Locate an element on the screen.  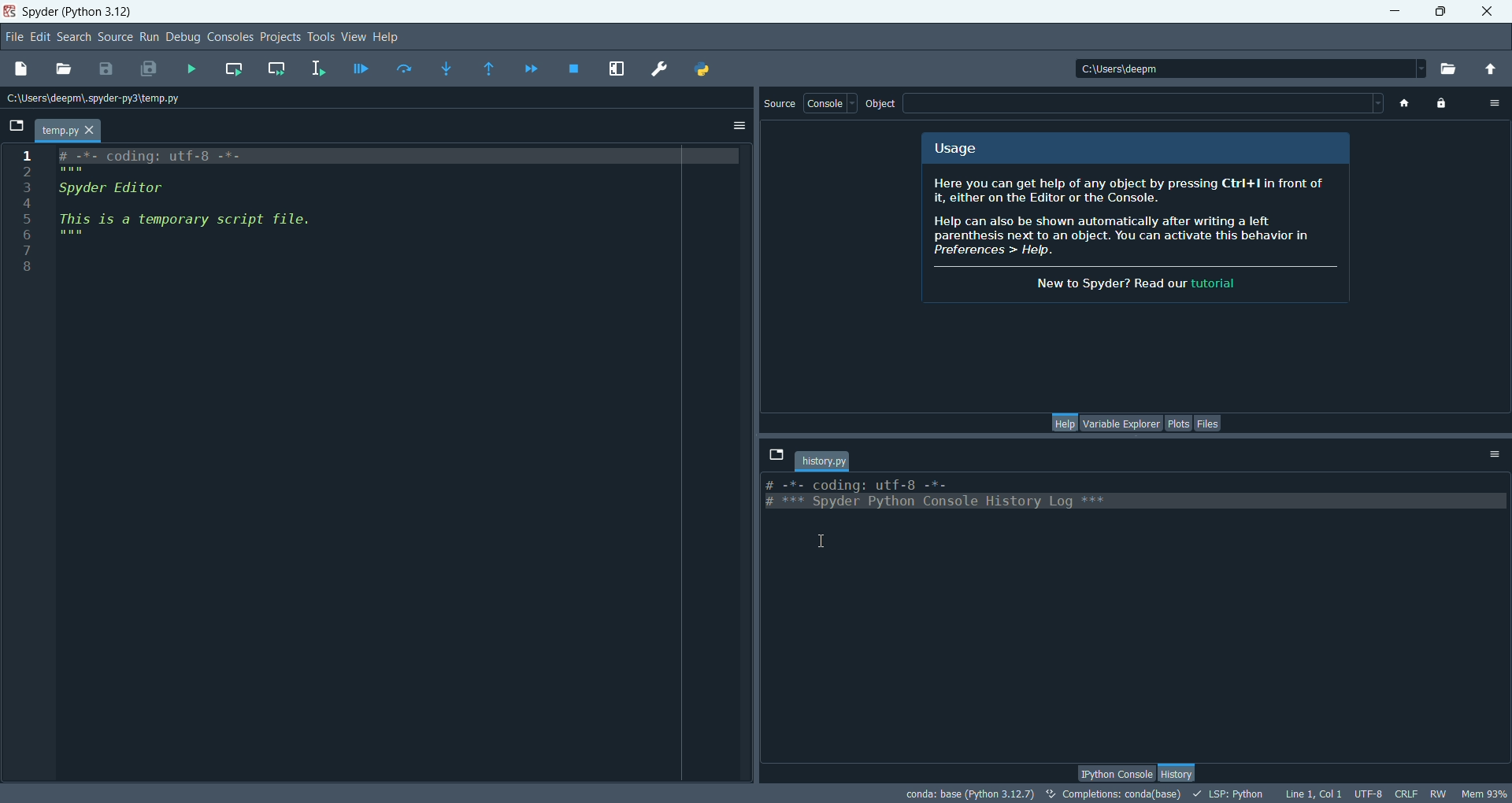
maximize current pane is located at coordinates (617, 67).